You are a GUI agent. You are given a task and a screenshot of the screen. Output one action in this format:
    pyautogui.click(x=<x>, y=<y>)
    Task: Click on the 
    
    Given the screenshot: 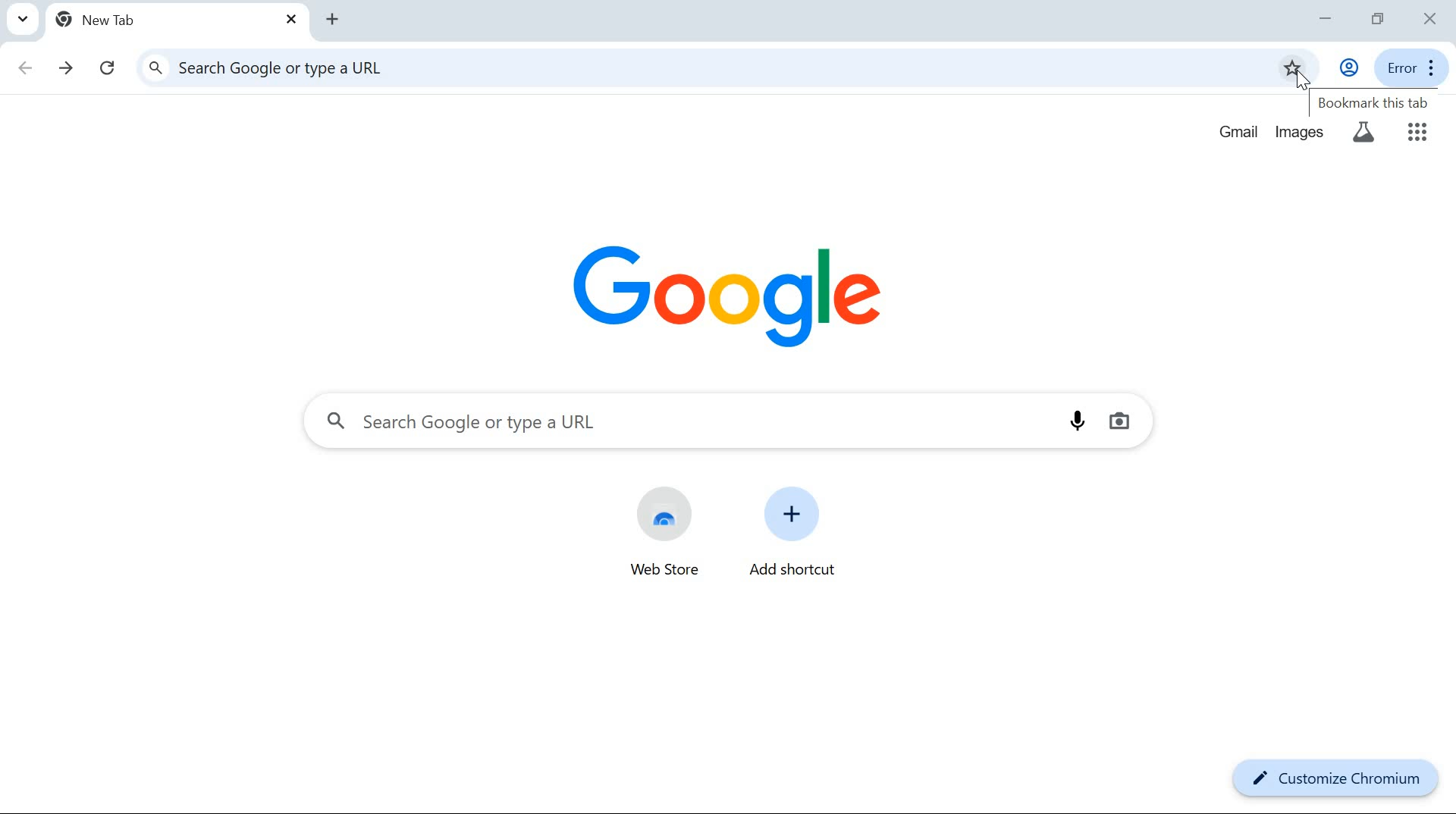 What is the action you would take?
    pyautogui.click(x=1362, y=134)
    